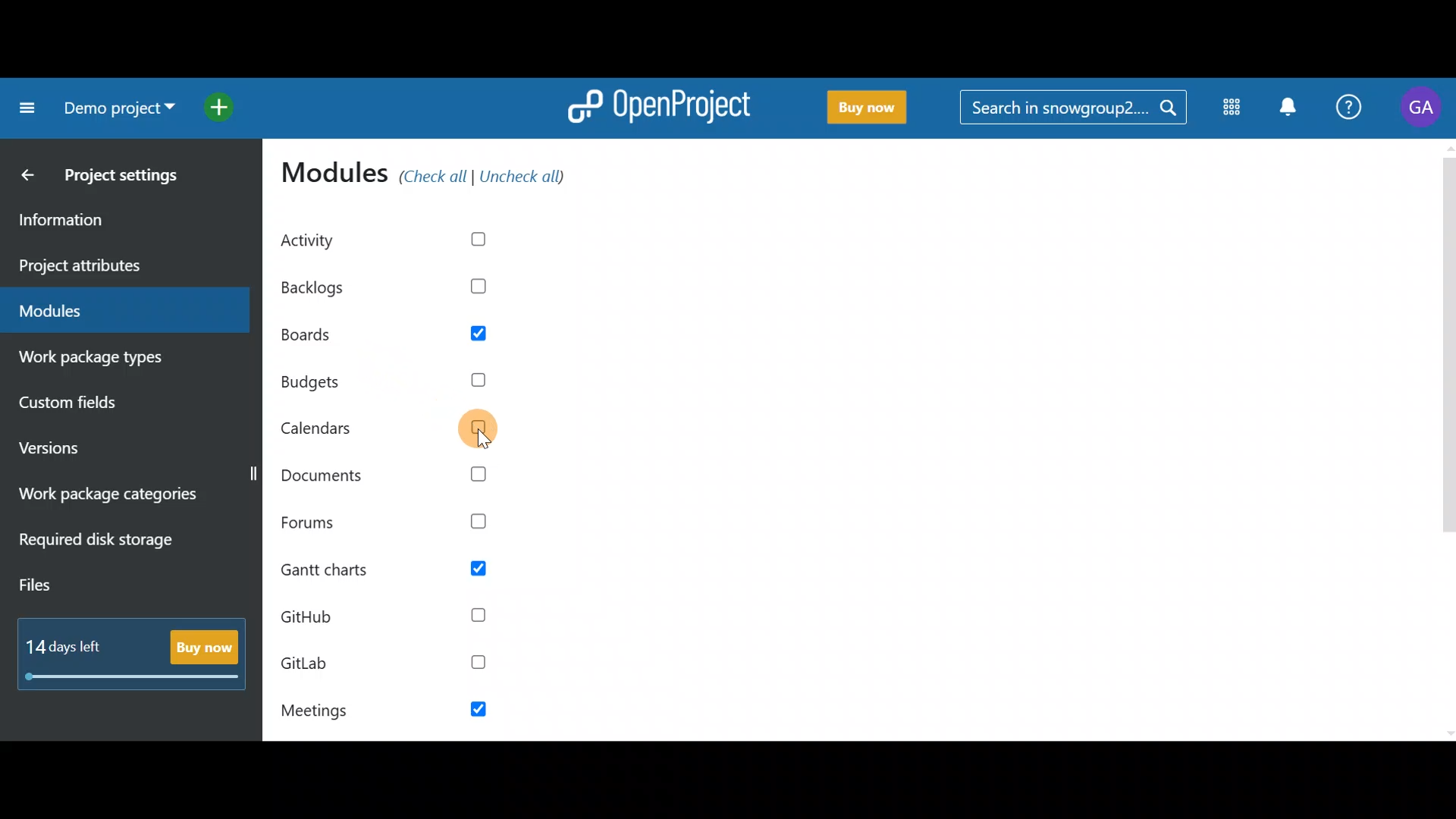 The image size is (1456, 819). What do you see at coordinates (117, 360) in the screenshot?
I see `Work package types` at bounding box center [117, 360].